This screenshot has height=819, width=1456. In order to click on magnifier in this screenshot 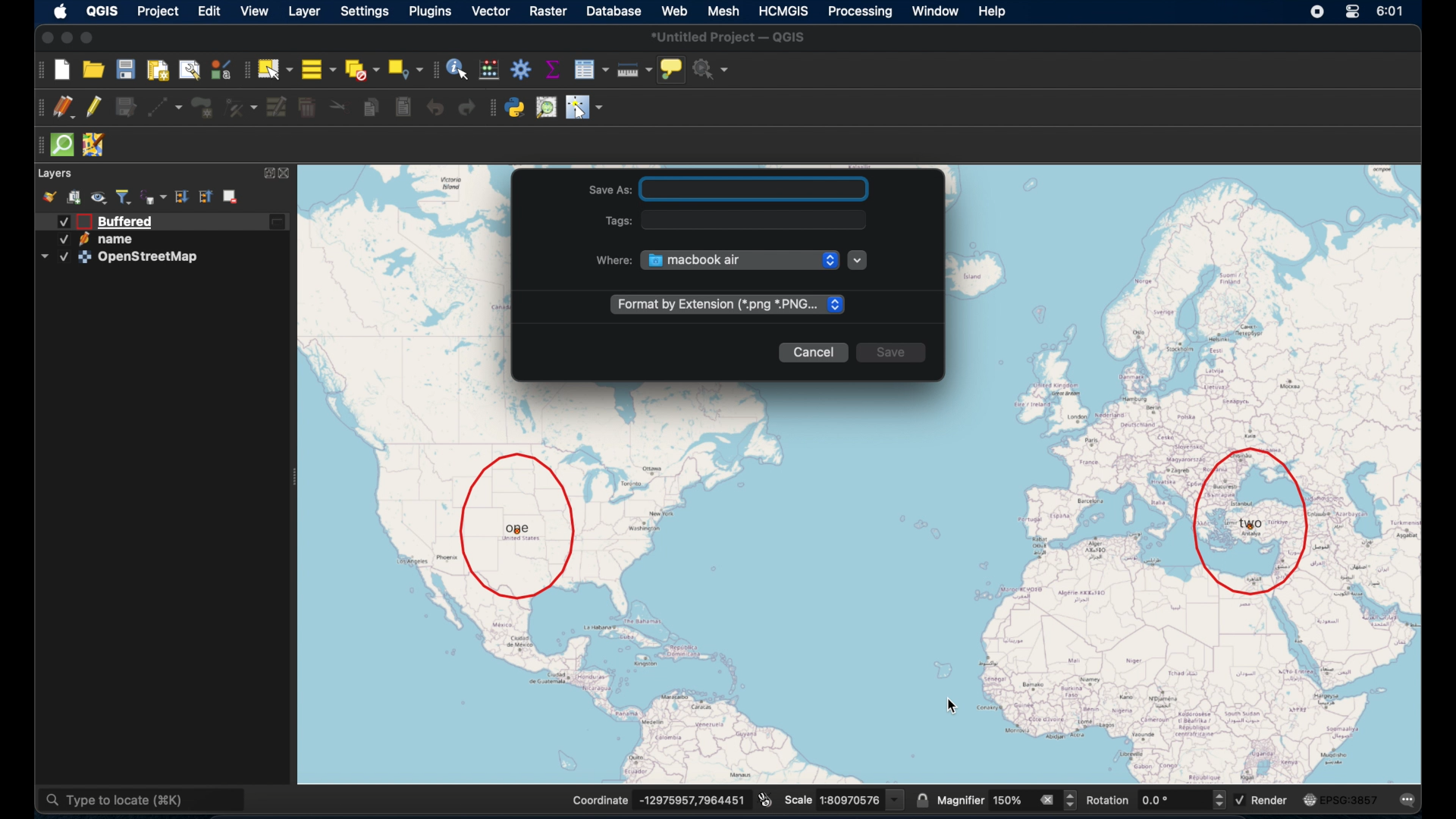, I will do `click(962, 801)`.